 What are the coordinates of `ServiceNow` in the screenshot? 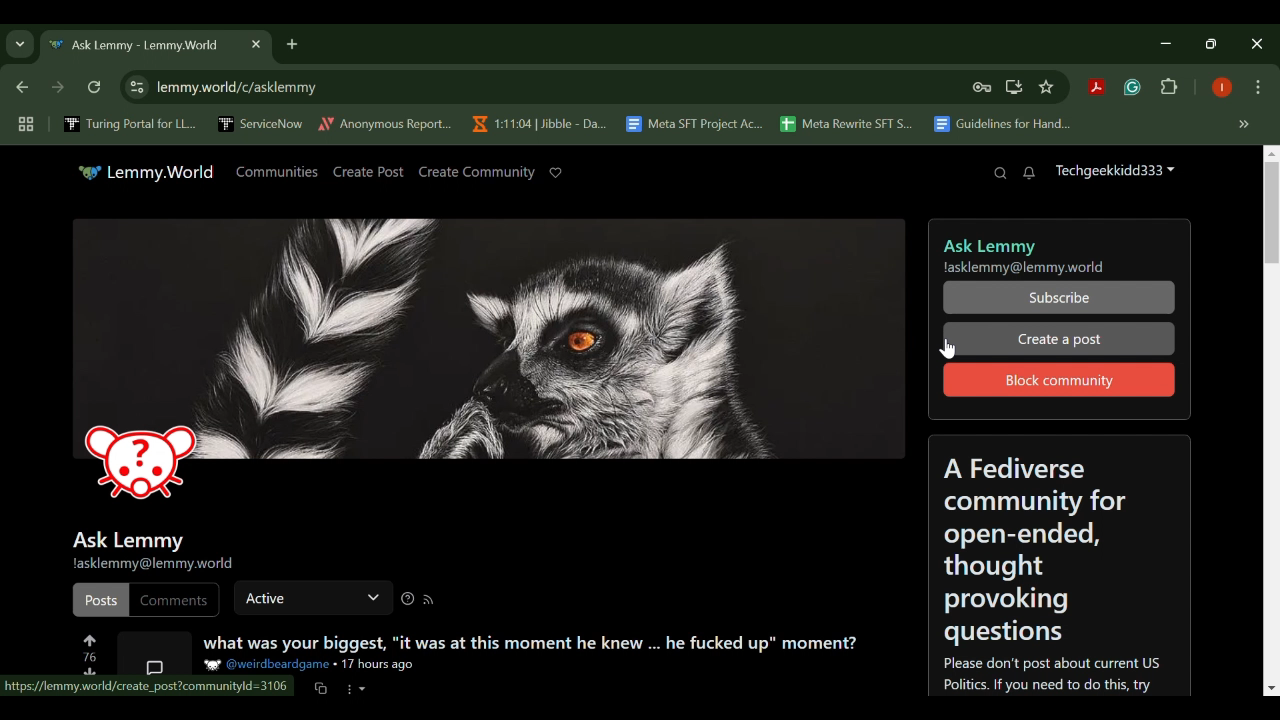 It's located at (261, 123).